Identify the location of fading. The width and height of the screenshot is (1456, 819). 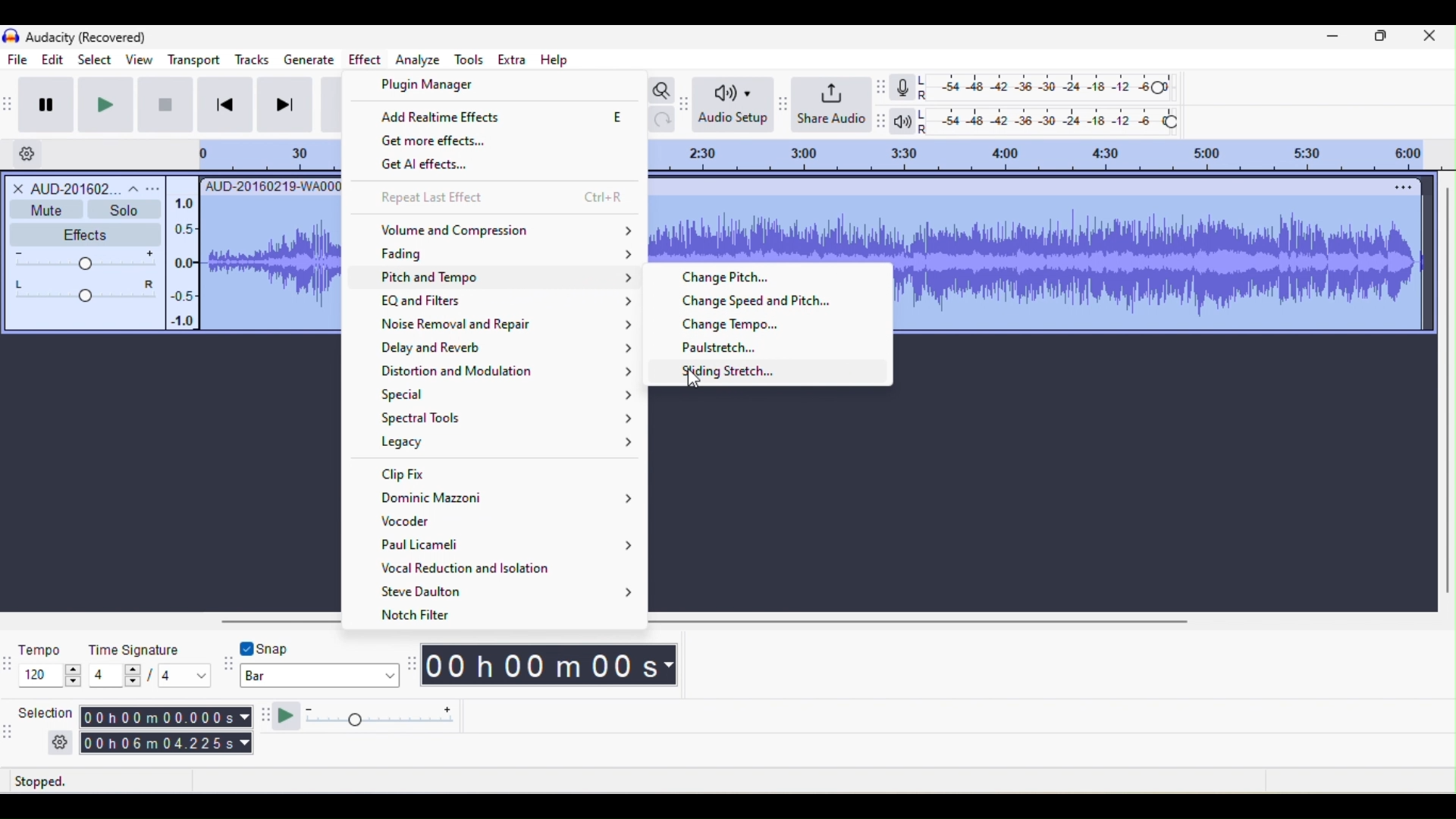
(511, 255).